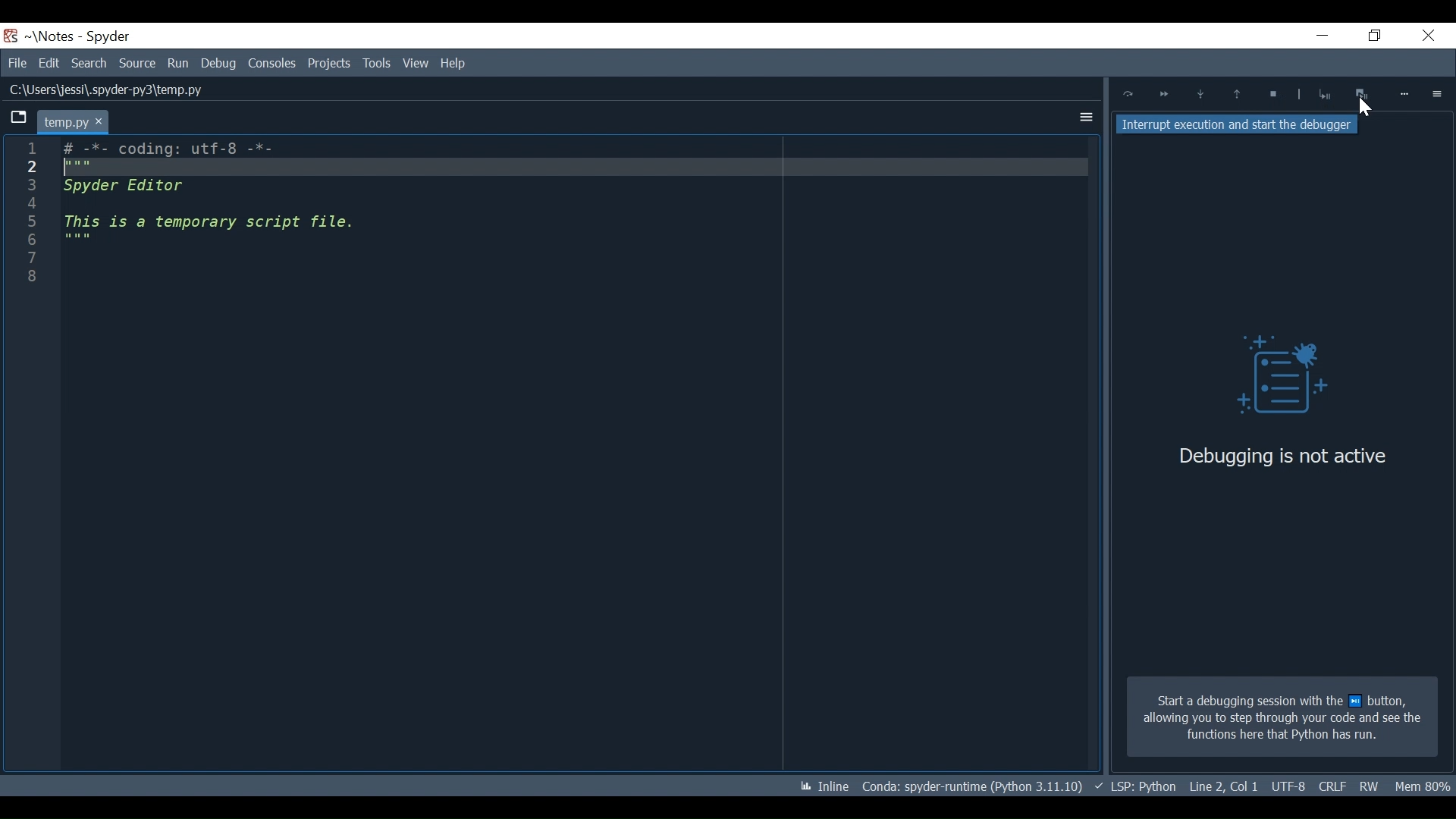 The image size is (1456, 819). What do you see at coordinates (55, 36) in the screenshot?
I see `Projects Name` at bounding box center [55, 36].